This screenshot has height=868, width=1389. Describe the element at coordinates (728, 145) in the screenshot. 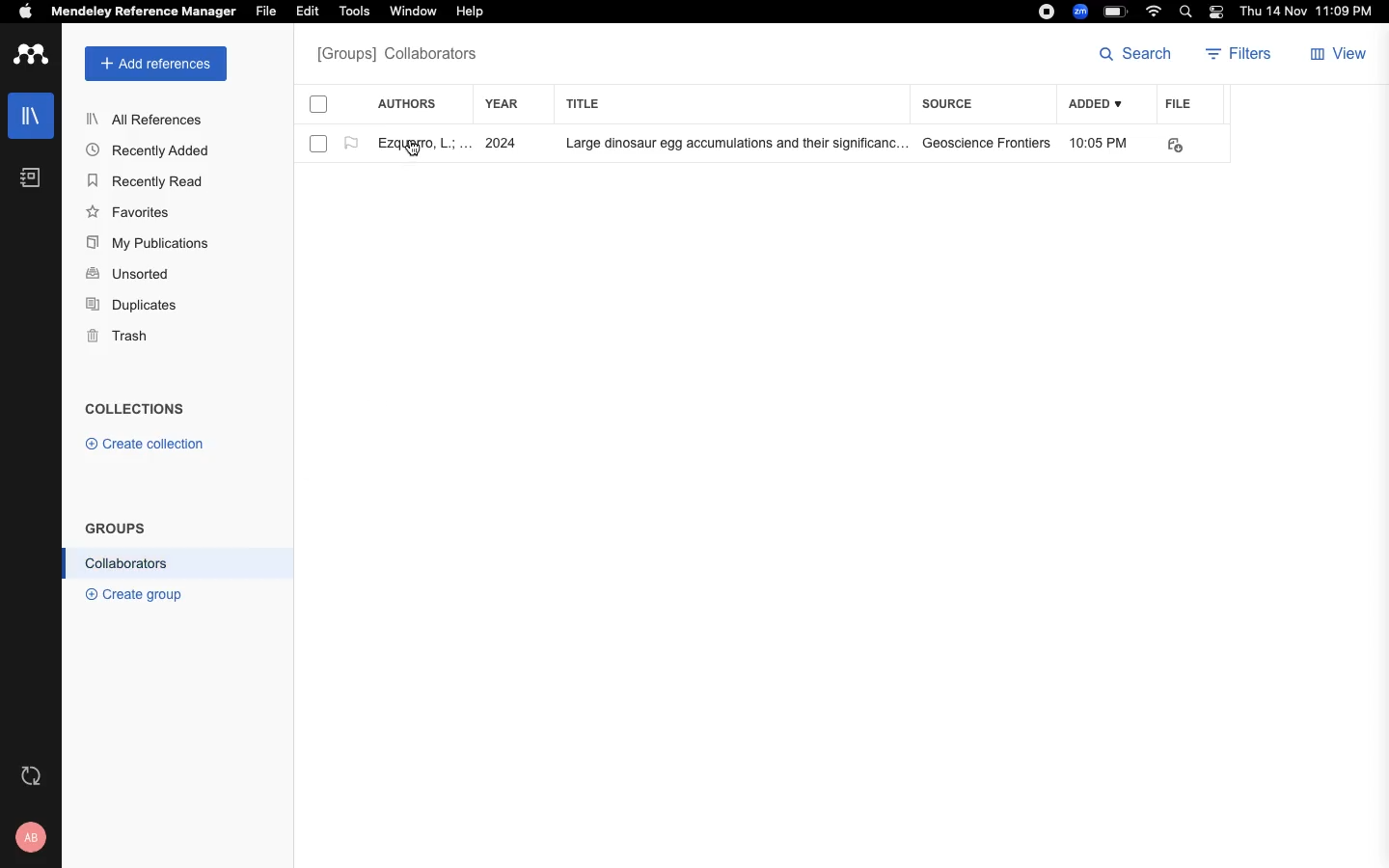

I see `` at that location.